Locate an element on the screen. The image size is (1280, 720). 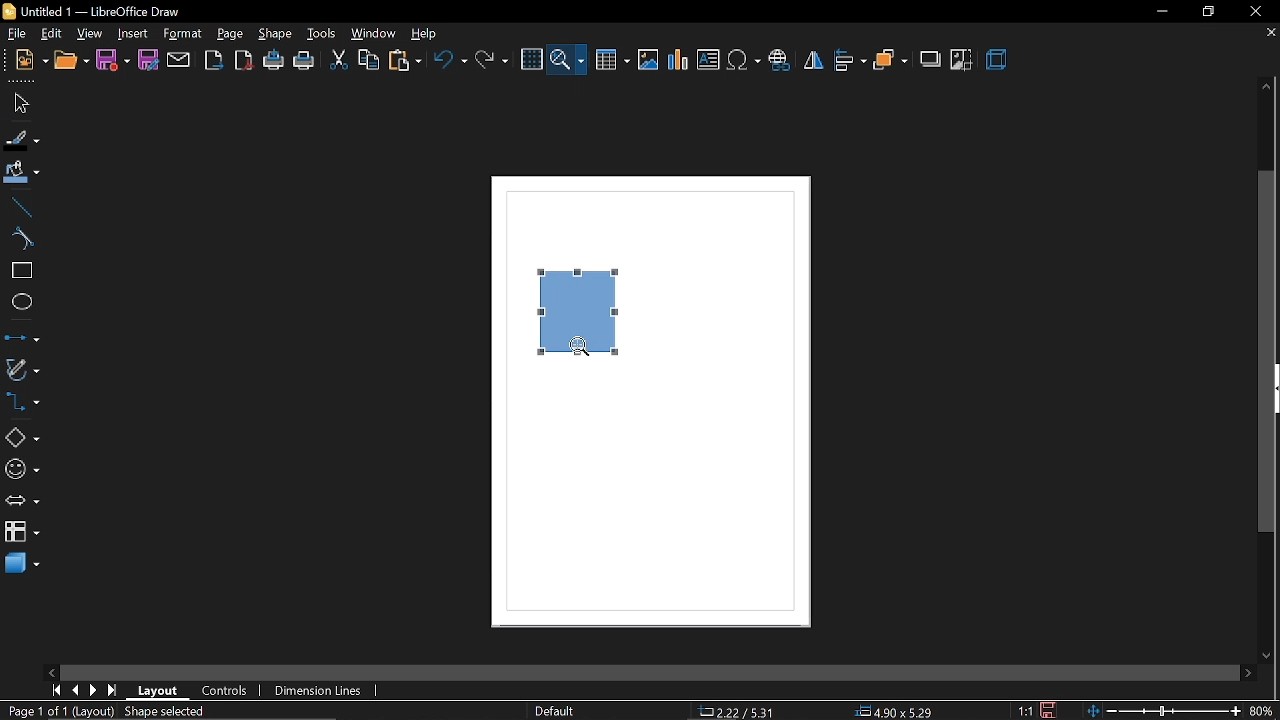
help is located at coordinates (427, 34).